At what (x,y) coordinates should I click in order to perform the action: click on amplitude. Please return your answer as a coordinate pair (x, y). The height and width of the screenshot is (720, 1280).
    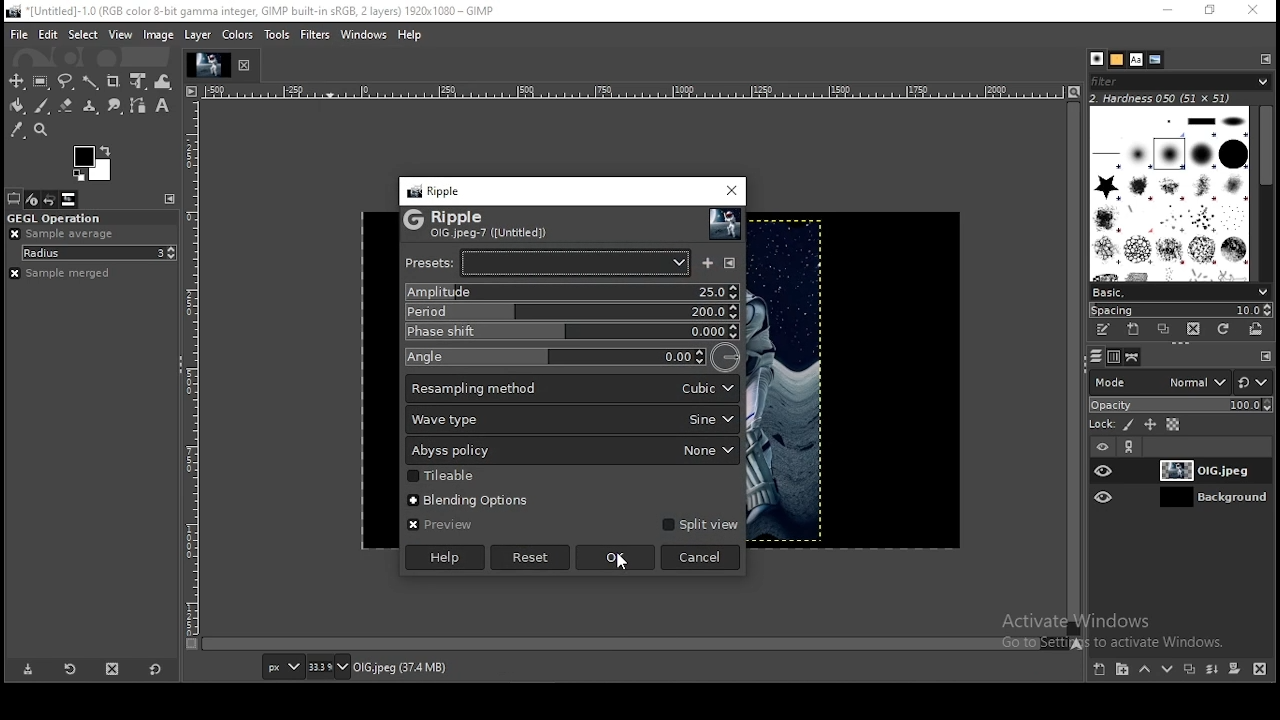
    Looking at the image, I should click on (572, 292).